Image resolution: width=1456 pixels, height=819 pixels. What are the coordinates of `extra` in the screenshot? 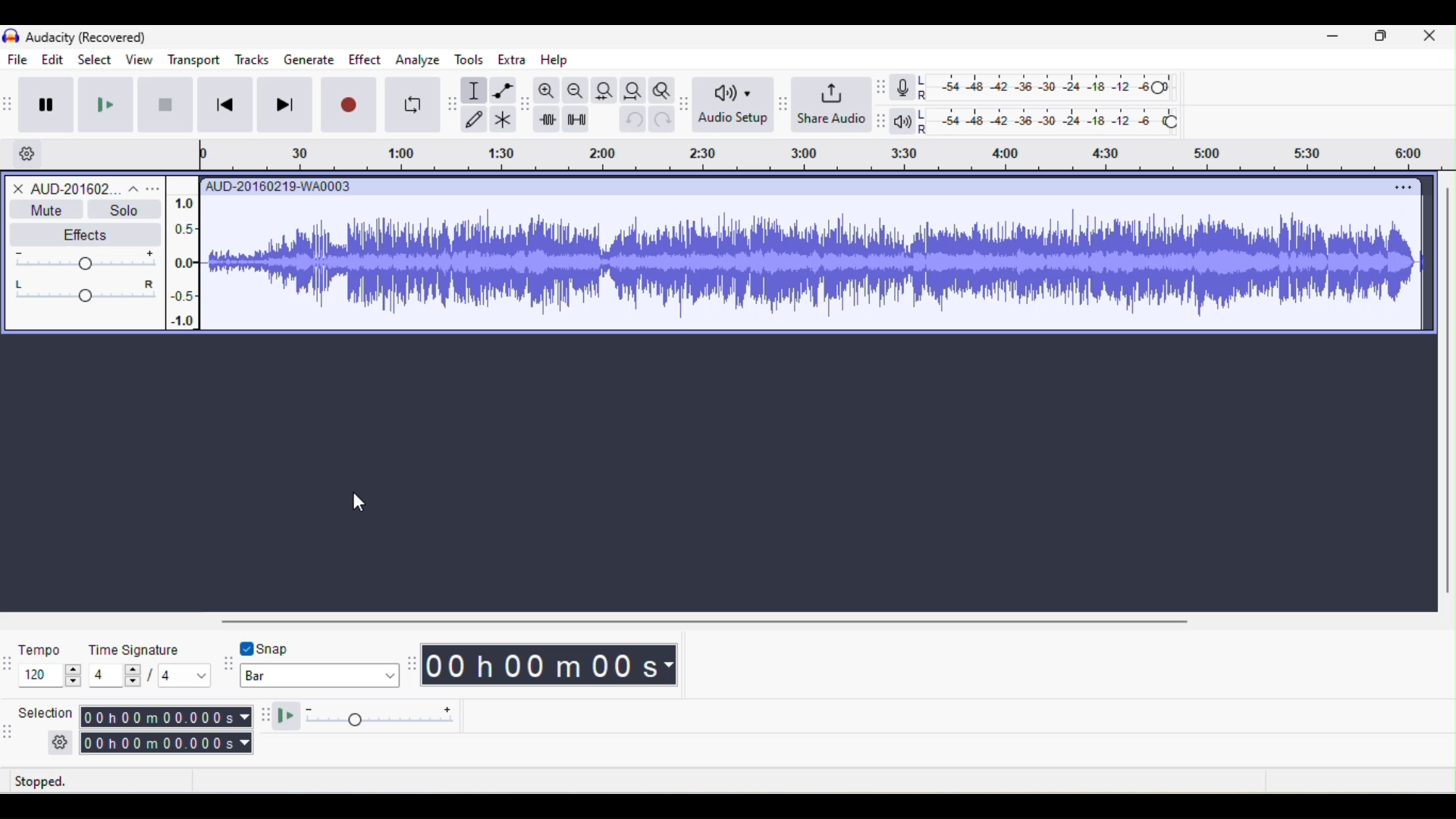 It's located at (510, 63).